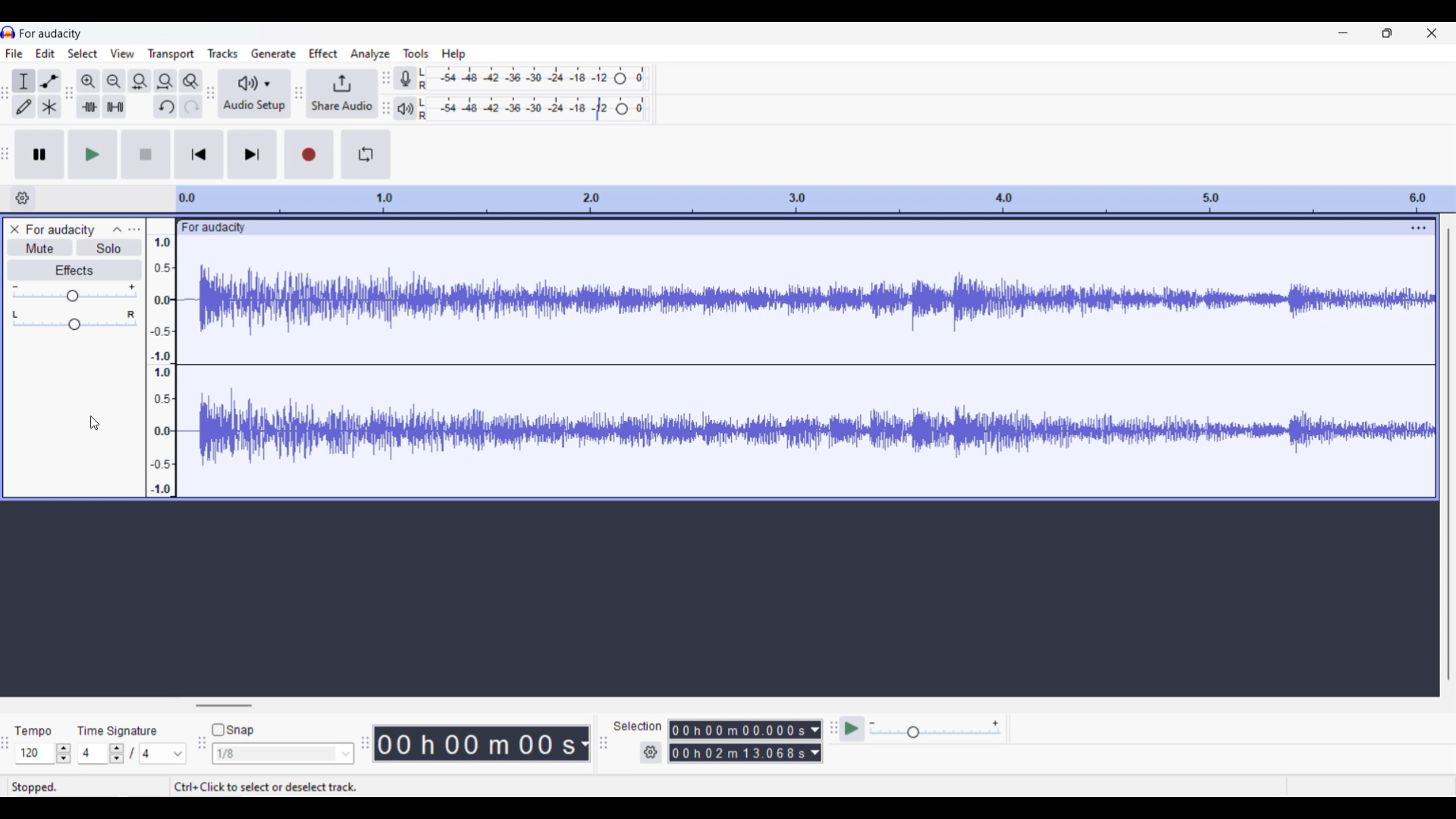  Describe the element at coordinates (8, 33) in the screenshot. I see `Software logo` at that location.